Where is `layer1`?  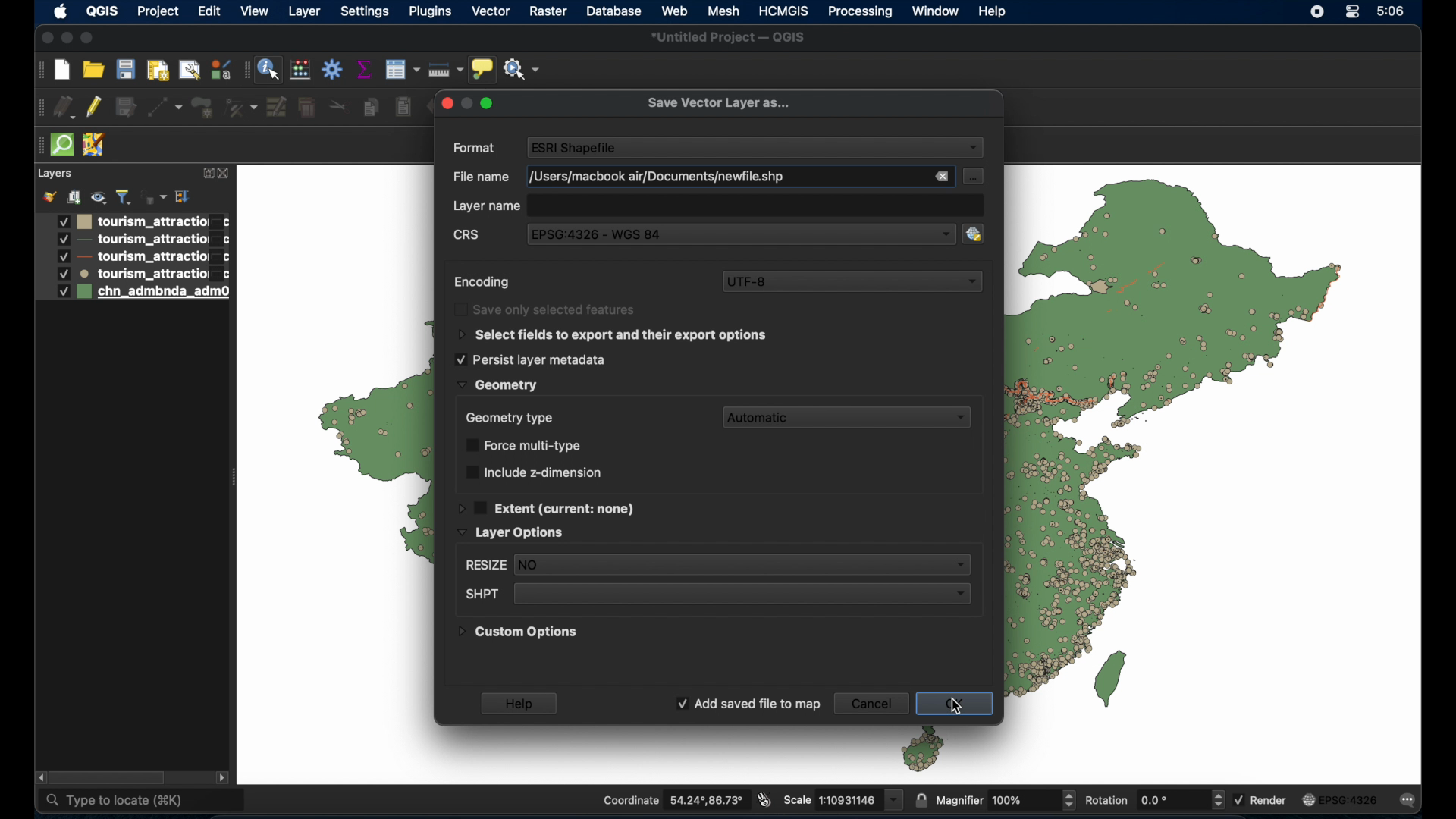
layer1 is located at coordinates (133, 221).